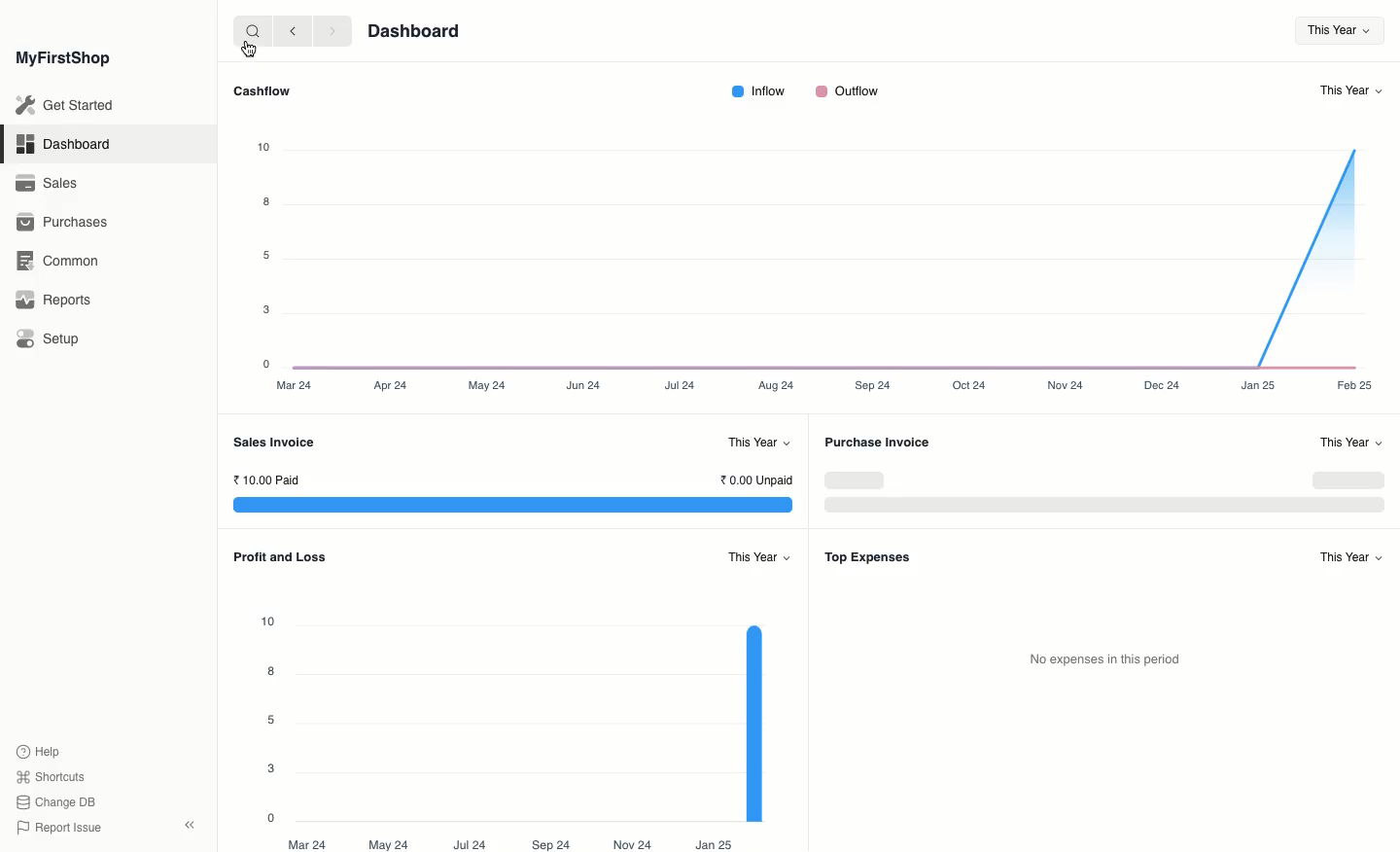 The image size is (1400, 852). Describe the element at coordinates (832, 253) in the screenshot. I see `graph` at that location.